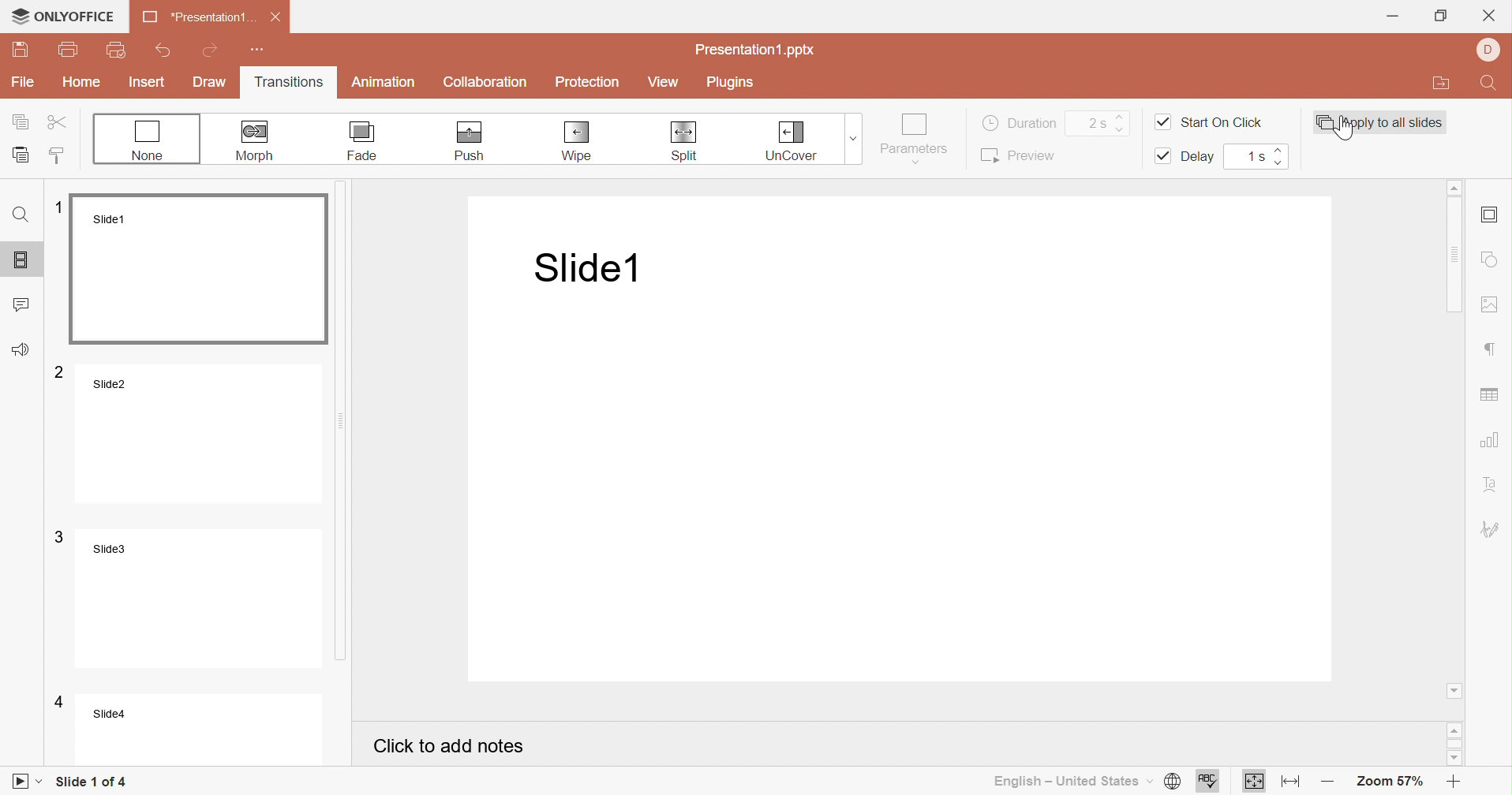  What do you see at coordinates (364, 141) in the screenshot?
I see `Fade` at bounding box center [364, 141].